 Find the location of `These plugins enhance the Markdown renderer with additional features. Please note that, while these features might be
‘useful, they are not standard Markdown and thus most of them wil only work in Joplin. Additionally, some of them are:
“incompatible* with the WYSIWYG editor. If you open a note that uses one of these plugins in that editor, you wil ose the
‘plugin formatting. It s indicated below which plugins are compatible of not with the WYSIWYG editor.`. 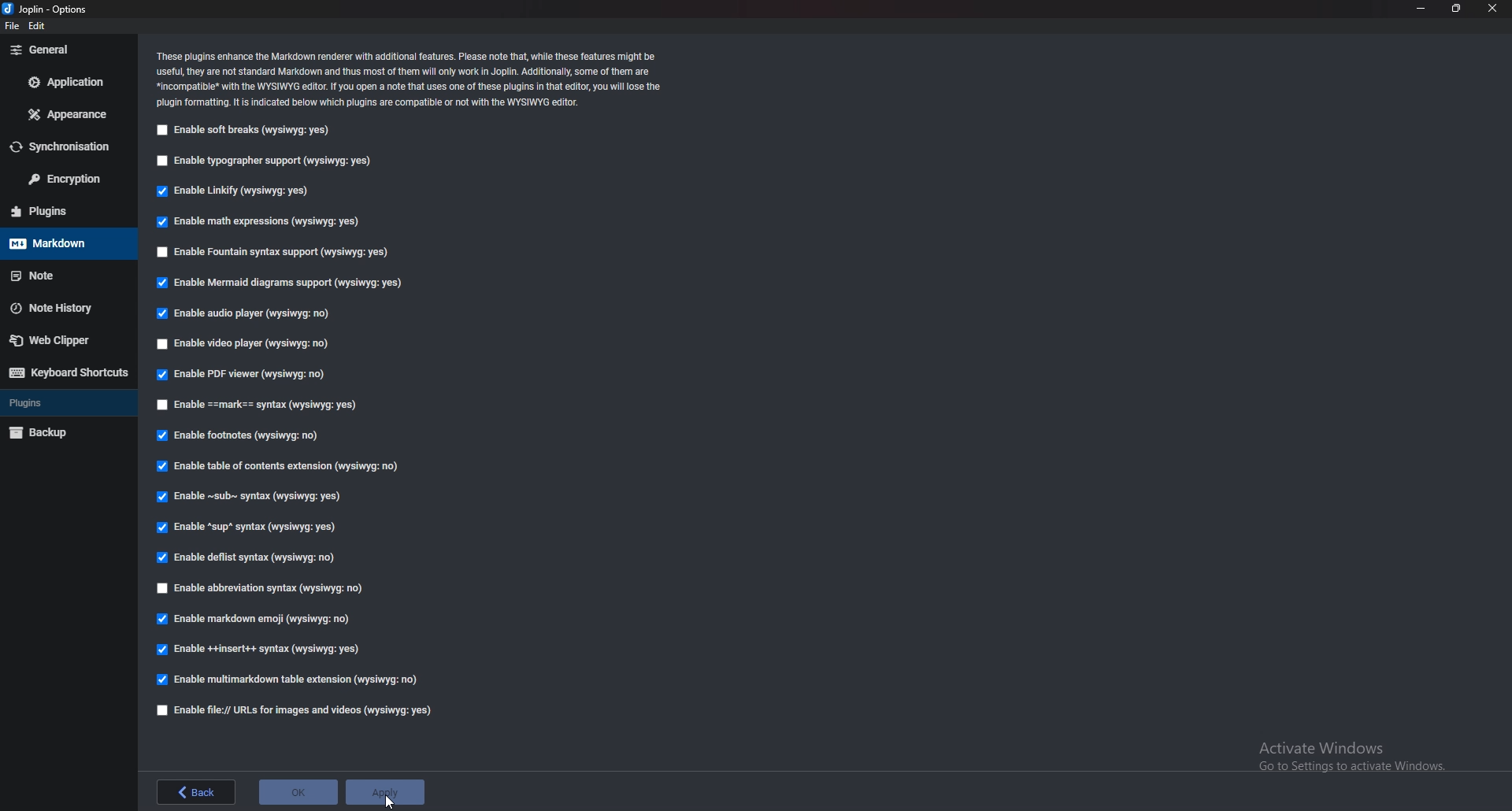

These plugins enhance the Markdown renderer with additional features. Please note that, while these features might be
‘useful, they are not standard Markdown and thus most of them wil only work in Joplin. Additionally, some of them are:
“incompatible* with the WYSIWYG editor. If you open a note that uses one of these plugins in that editor, you wil ose the
‘plugin formatting. It s indicated below which plugins are compatible of not with the WYSIWYG editor. is located at coordinates (416, 79).